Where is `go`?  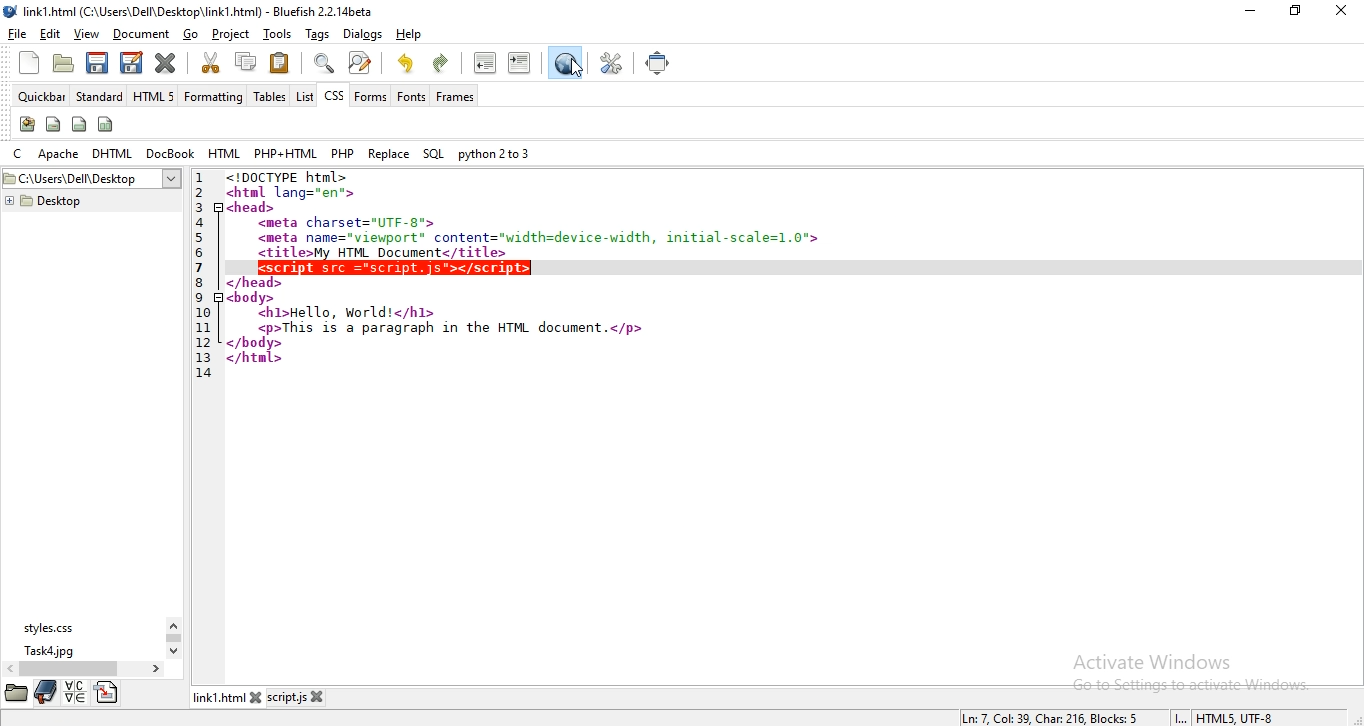
go is located at coordinates (188, 33).